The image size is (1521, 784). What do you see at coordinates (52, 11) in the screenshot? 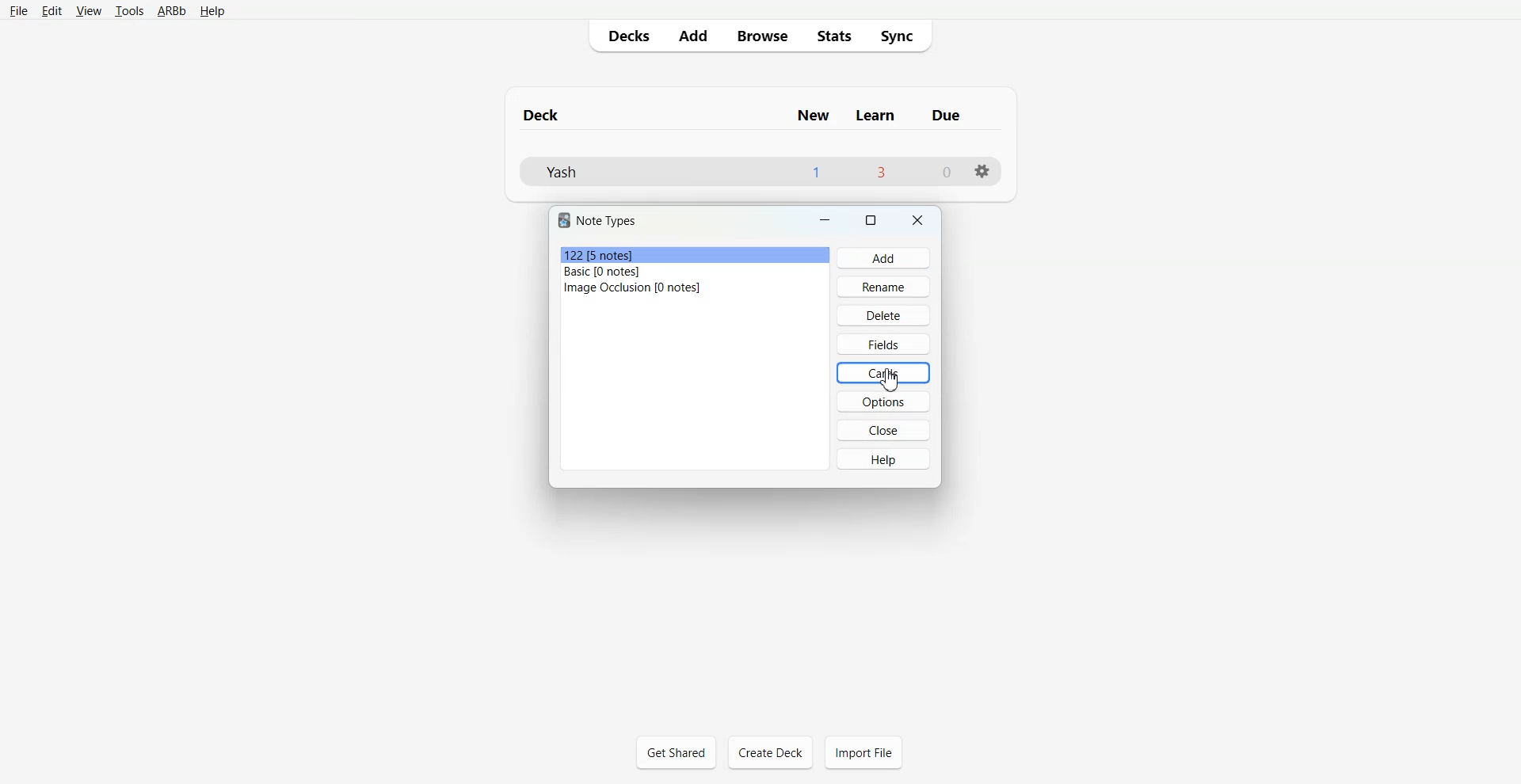
I see `Edit` at bounding box center [52, 11].